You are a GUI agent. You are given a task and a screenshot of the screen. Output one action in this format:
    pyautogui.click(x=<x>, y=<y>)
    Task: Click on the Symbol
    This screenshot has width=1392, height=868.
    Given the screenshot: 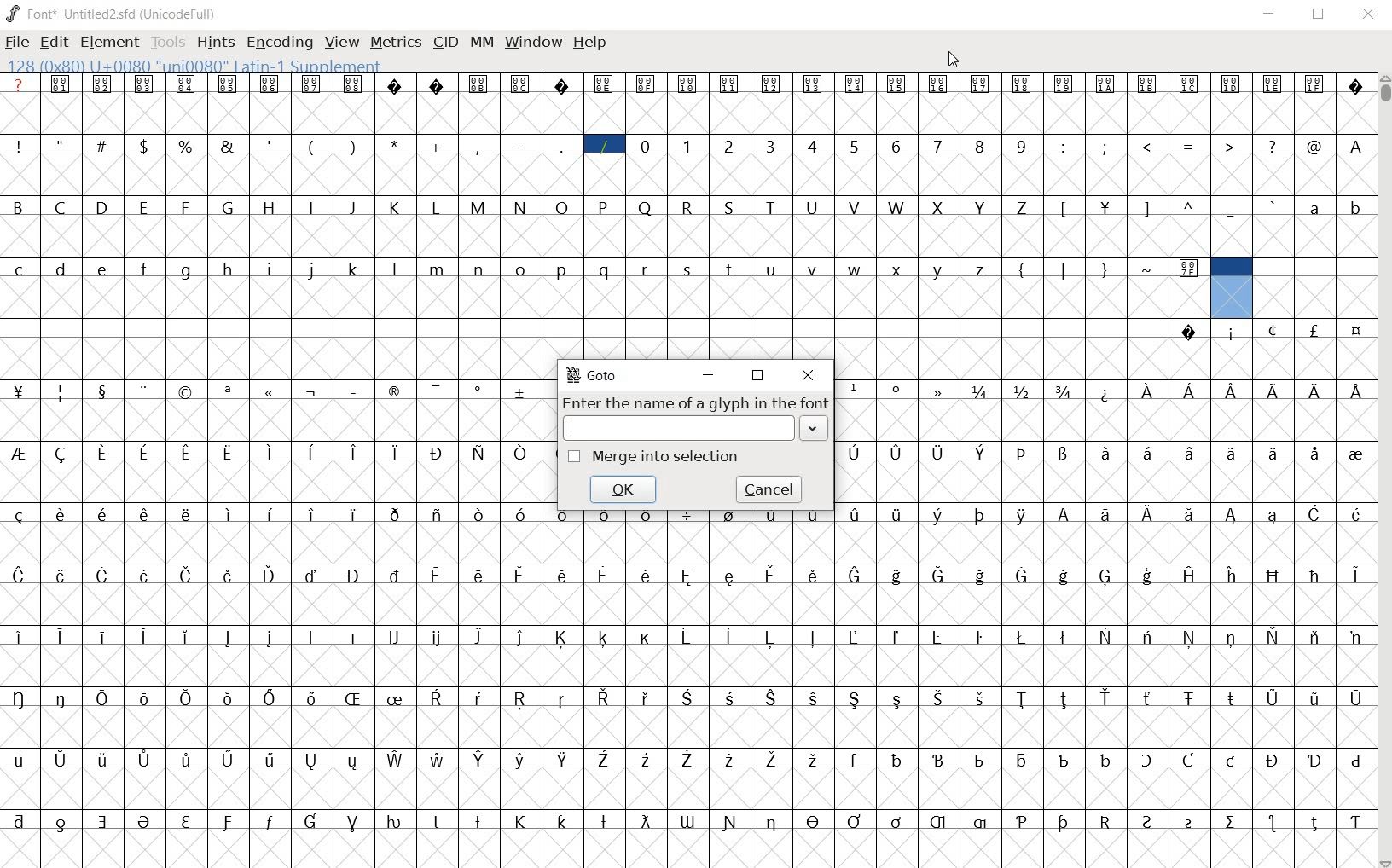 What is the action you would take?
    pyautogui.click(x=648, y=574)
    